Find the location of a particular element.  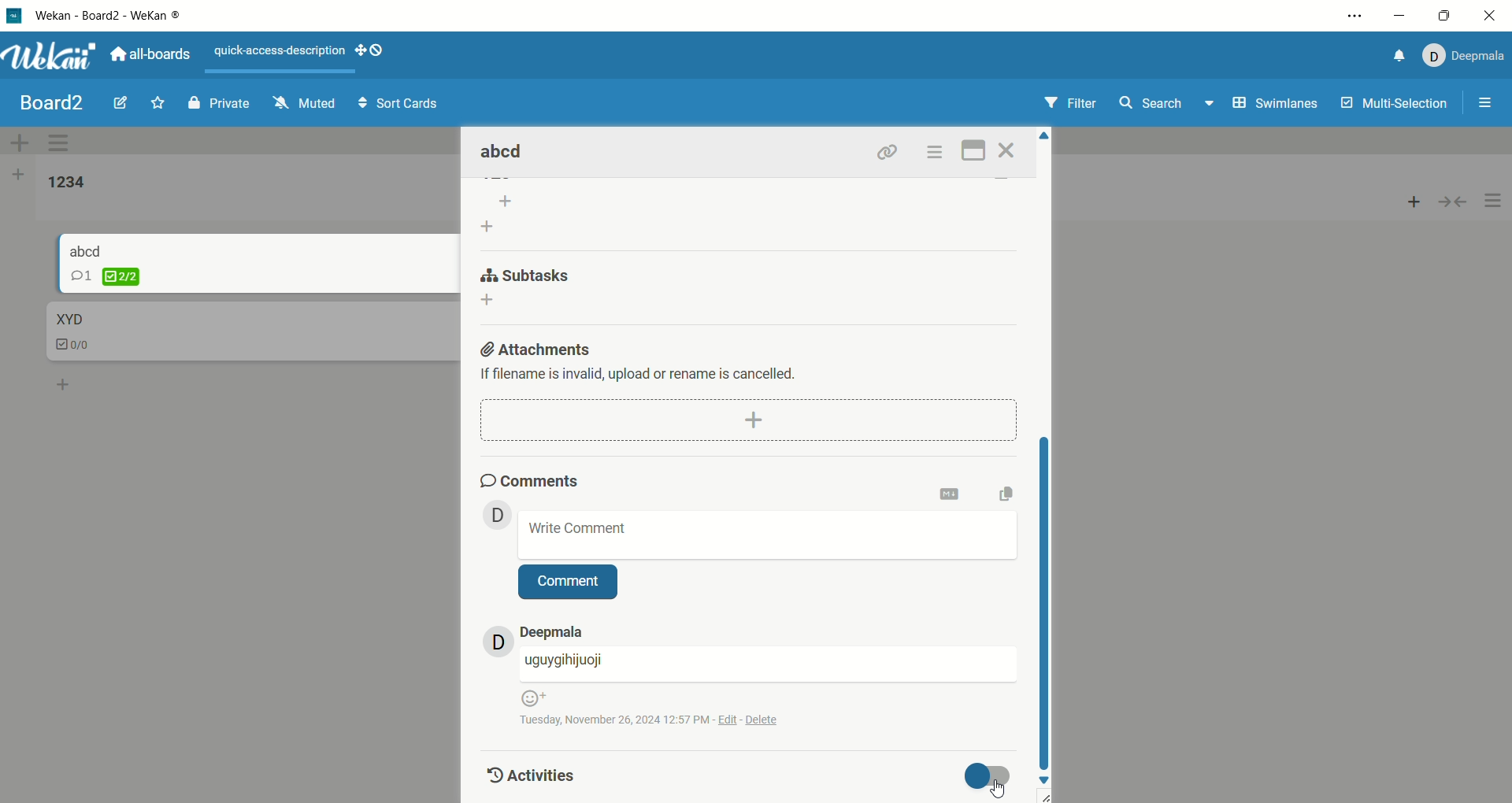

favorite is located at coordinates (159, 102).